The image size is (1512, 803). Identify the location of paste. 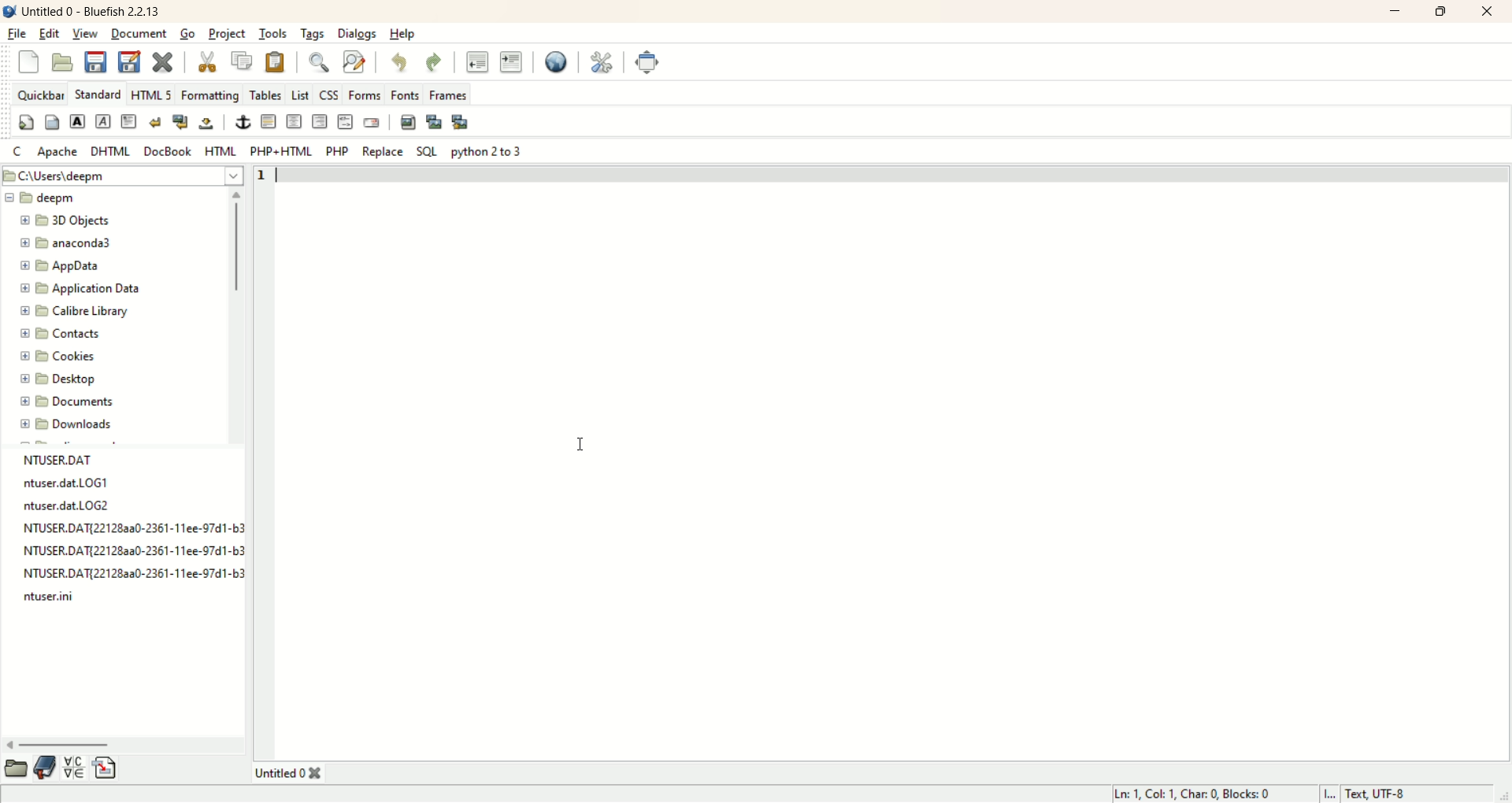
(277, 61).